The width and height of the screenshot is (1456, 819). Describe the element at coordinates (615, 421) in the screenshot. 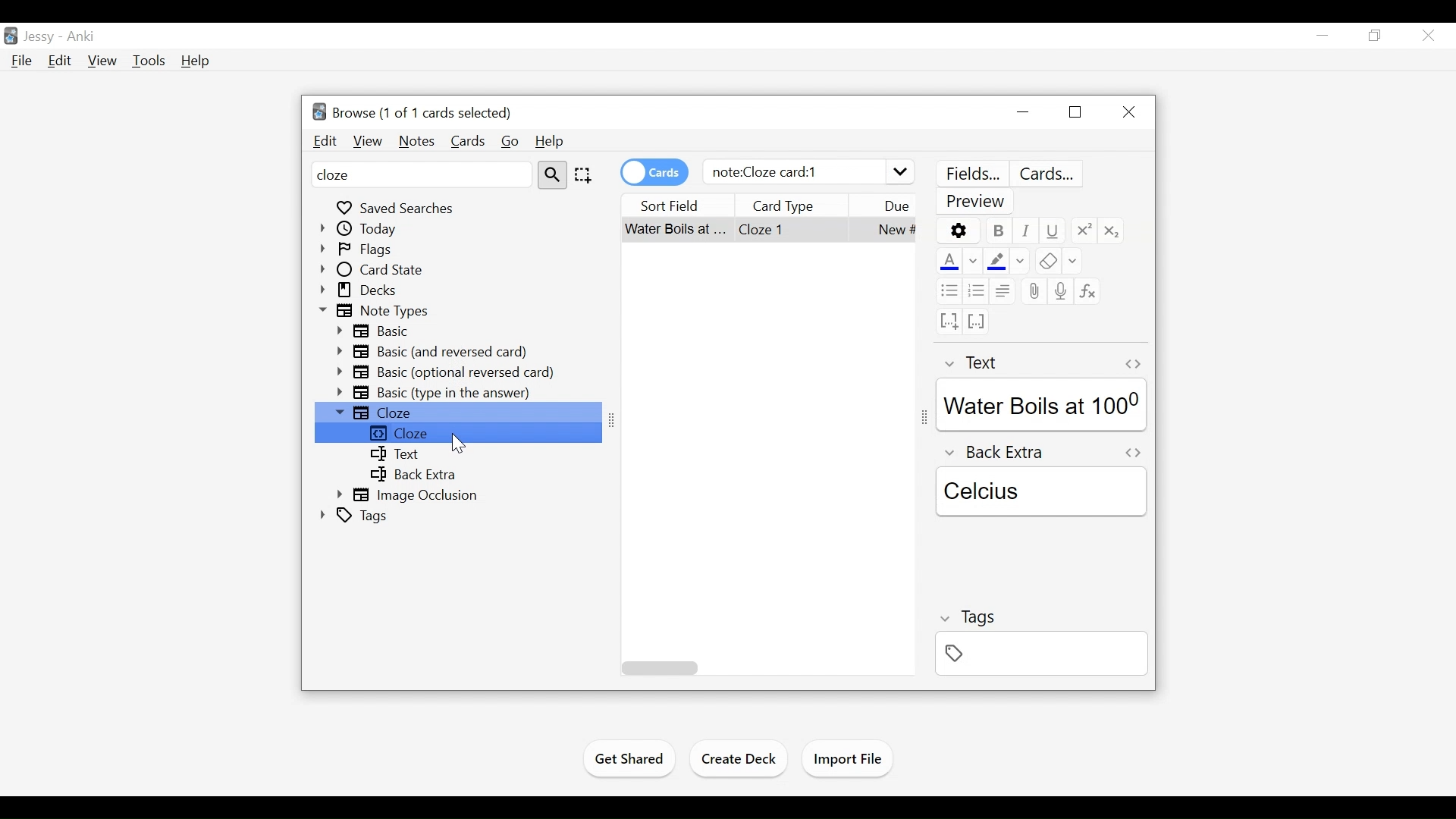

I see `Resize` at that location.